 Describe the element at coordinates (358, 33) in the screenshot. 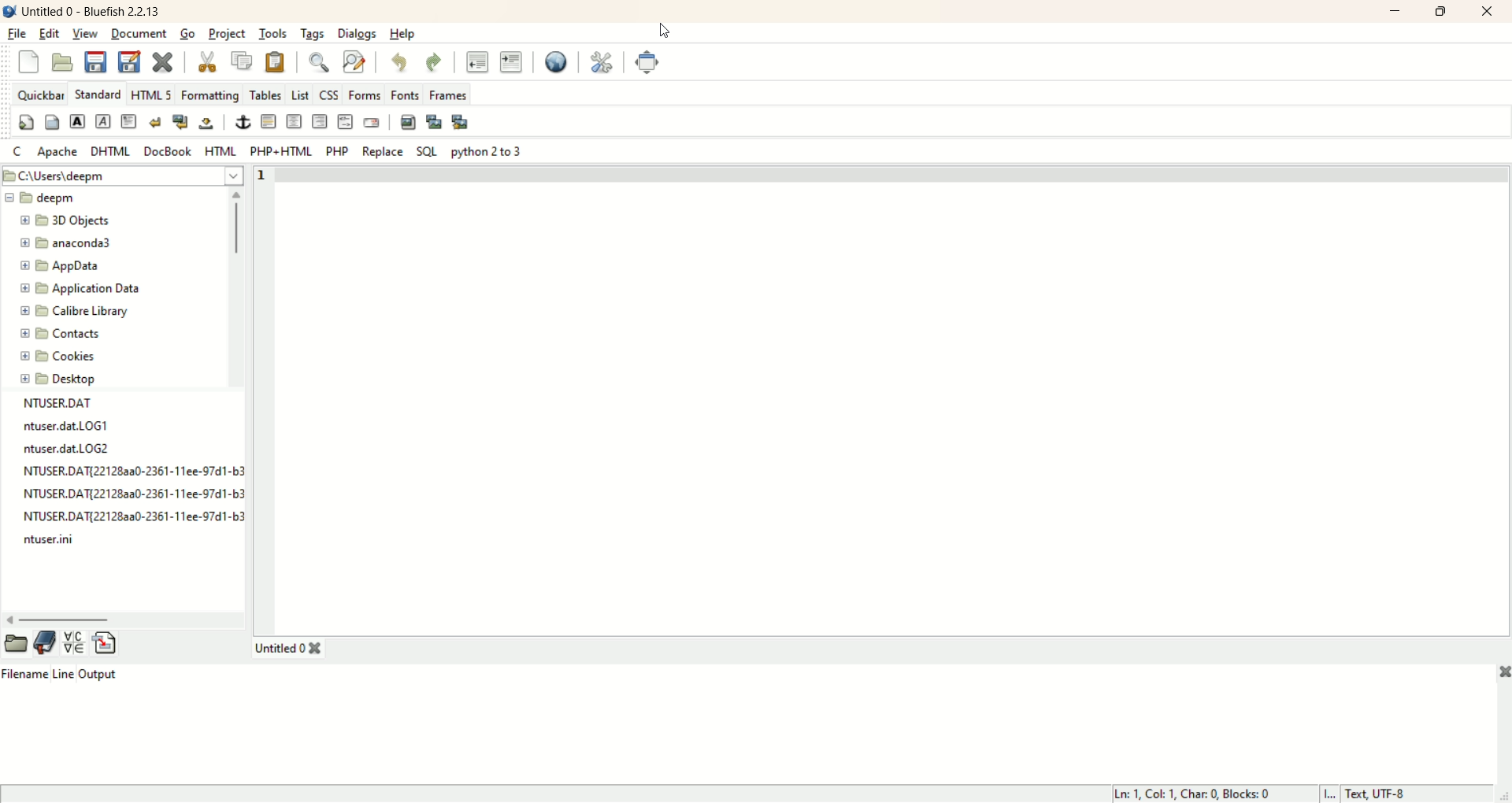

I see `dialogs` at that location.